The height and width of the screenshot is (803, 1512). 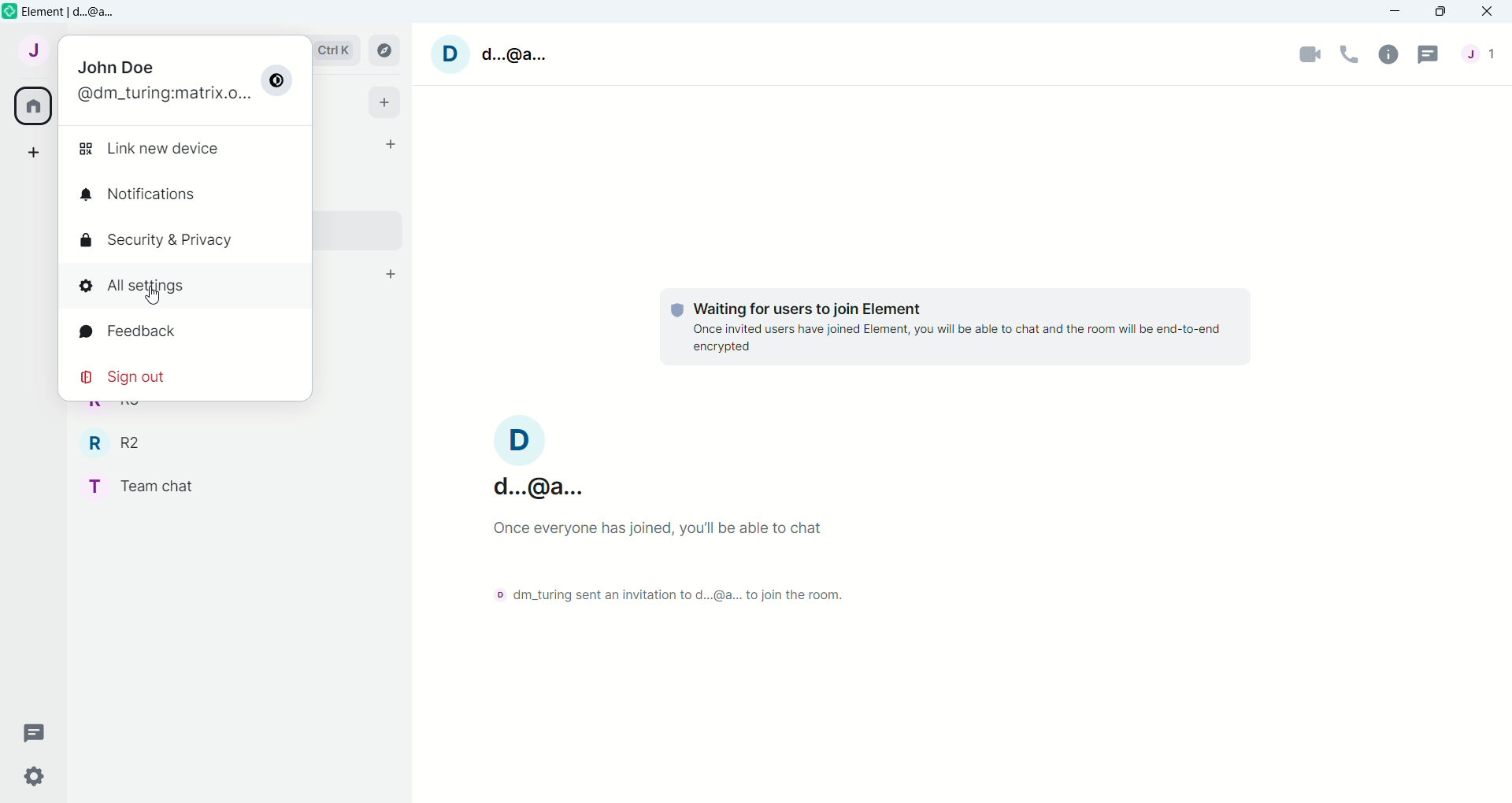 I want to click on Username, so click(x=484, y=57).